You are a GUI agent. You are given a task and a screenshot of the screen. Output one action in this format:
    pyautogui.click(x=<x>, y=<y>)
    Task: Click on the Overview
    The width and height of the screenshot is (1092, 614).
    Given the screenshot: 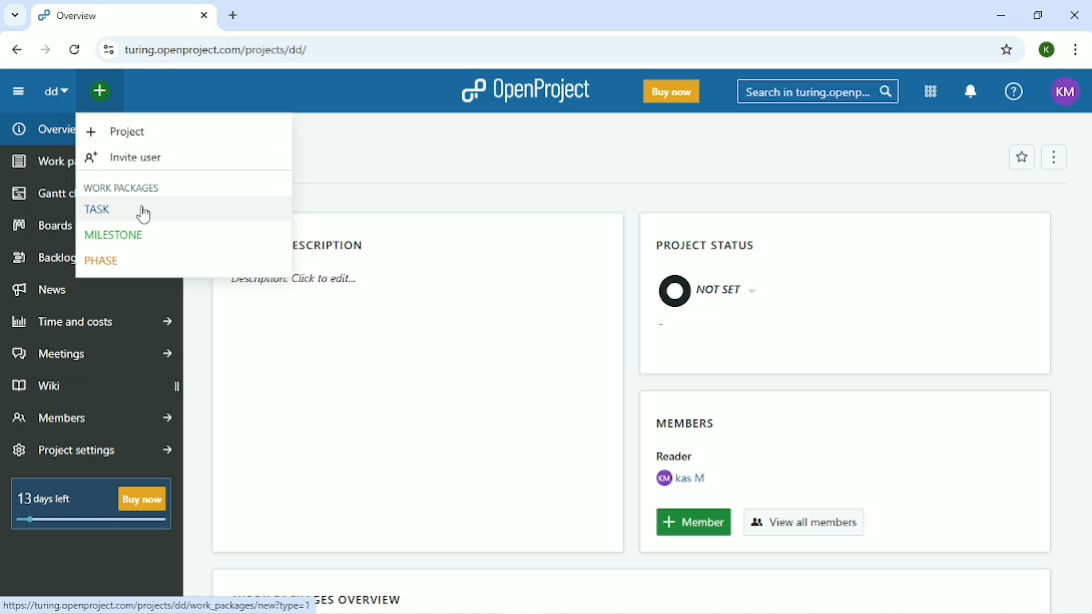 What is the action you would take?
    pyautogui.click(x=113, y=16)
    